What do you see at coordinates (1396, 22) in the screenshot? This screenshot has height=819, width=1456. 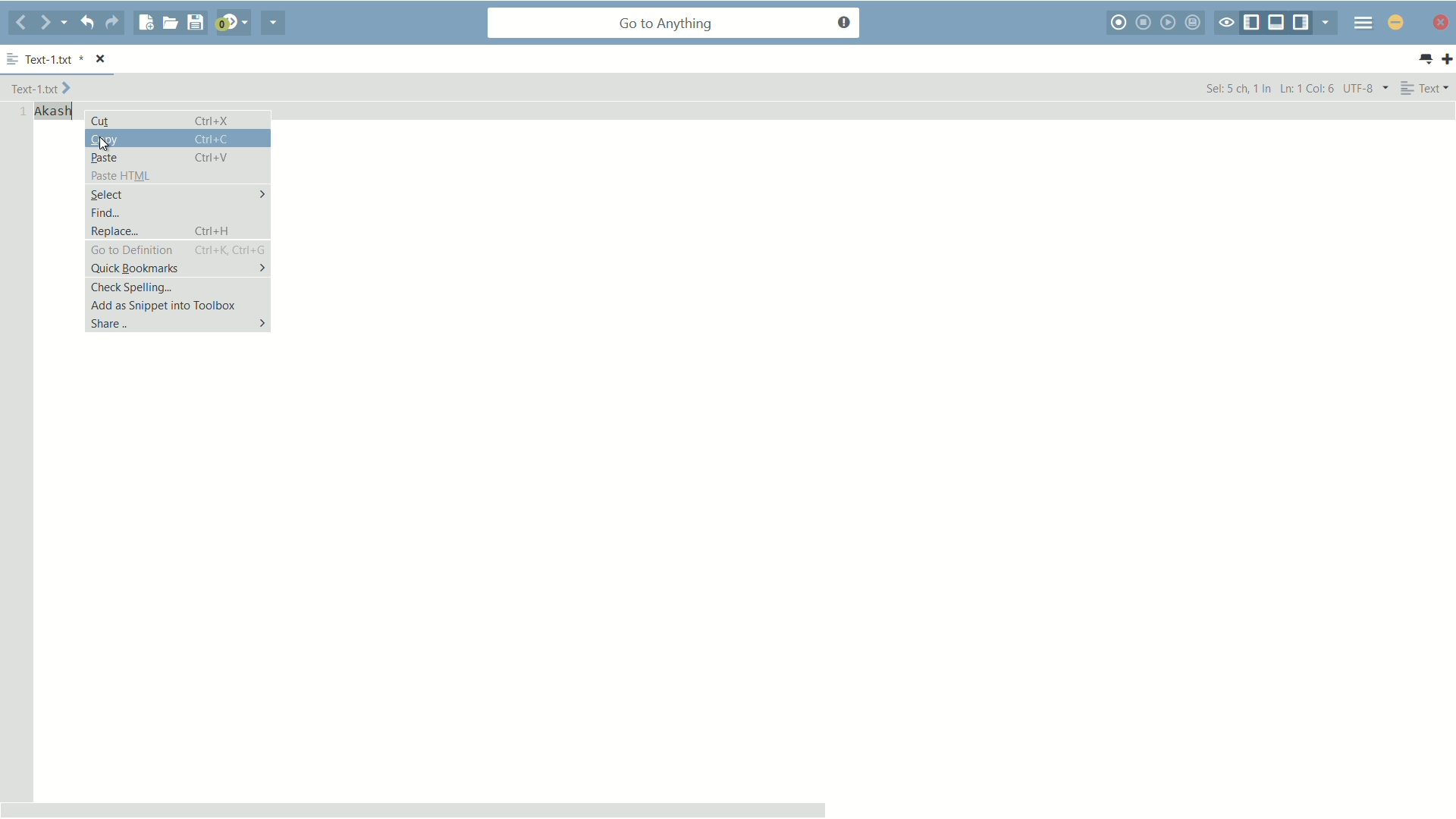 I see `minimize` at bounding box center [1396, 22].